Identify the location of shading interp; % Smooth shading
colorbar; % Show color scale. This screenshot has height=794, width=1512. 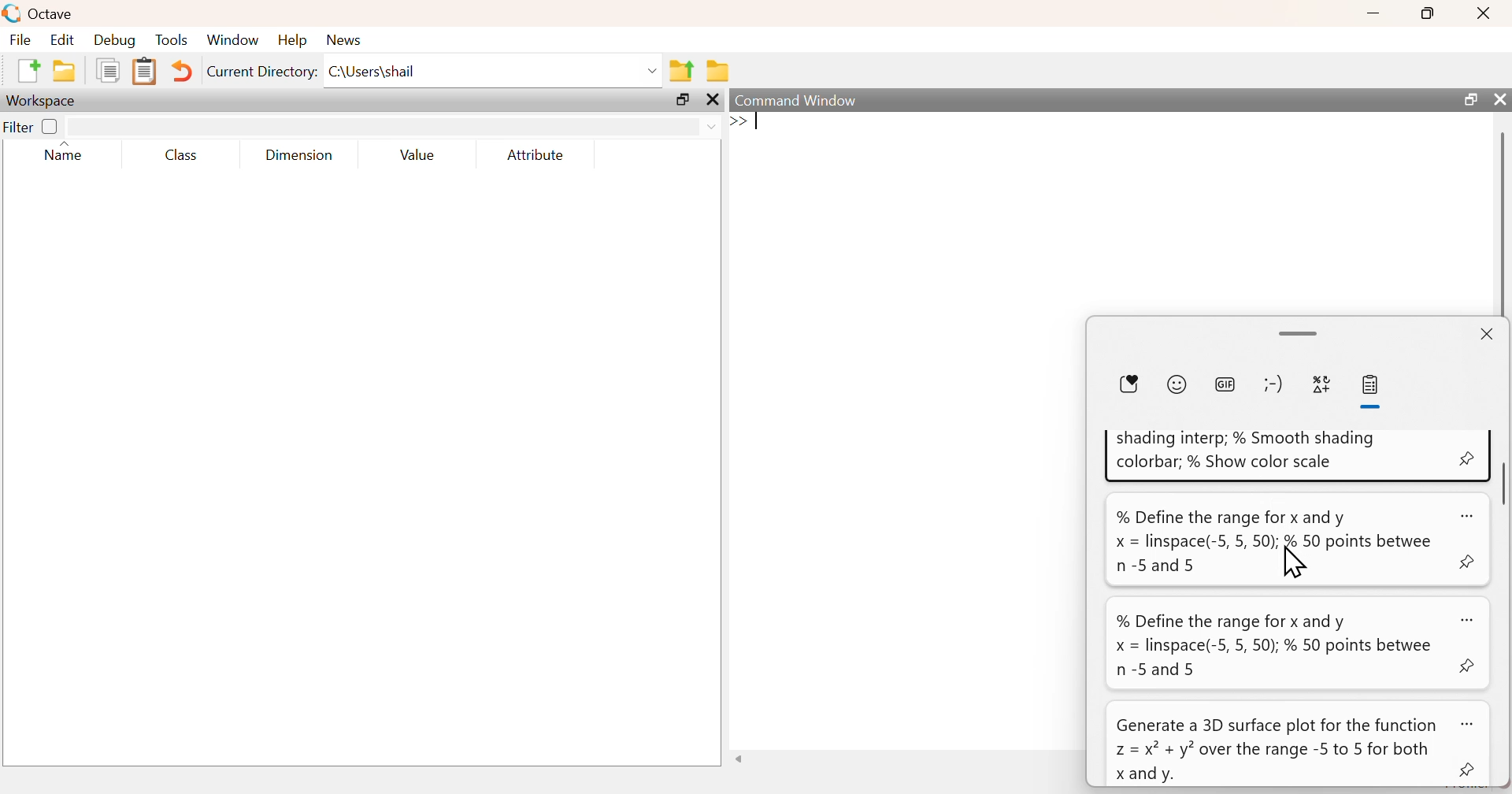
(1250, 448).